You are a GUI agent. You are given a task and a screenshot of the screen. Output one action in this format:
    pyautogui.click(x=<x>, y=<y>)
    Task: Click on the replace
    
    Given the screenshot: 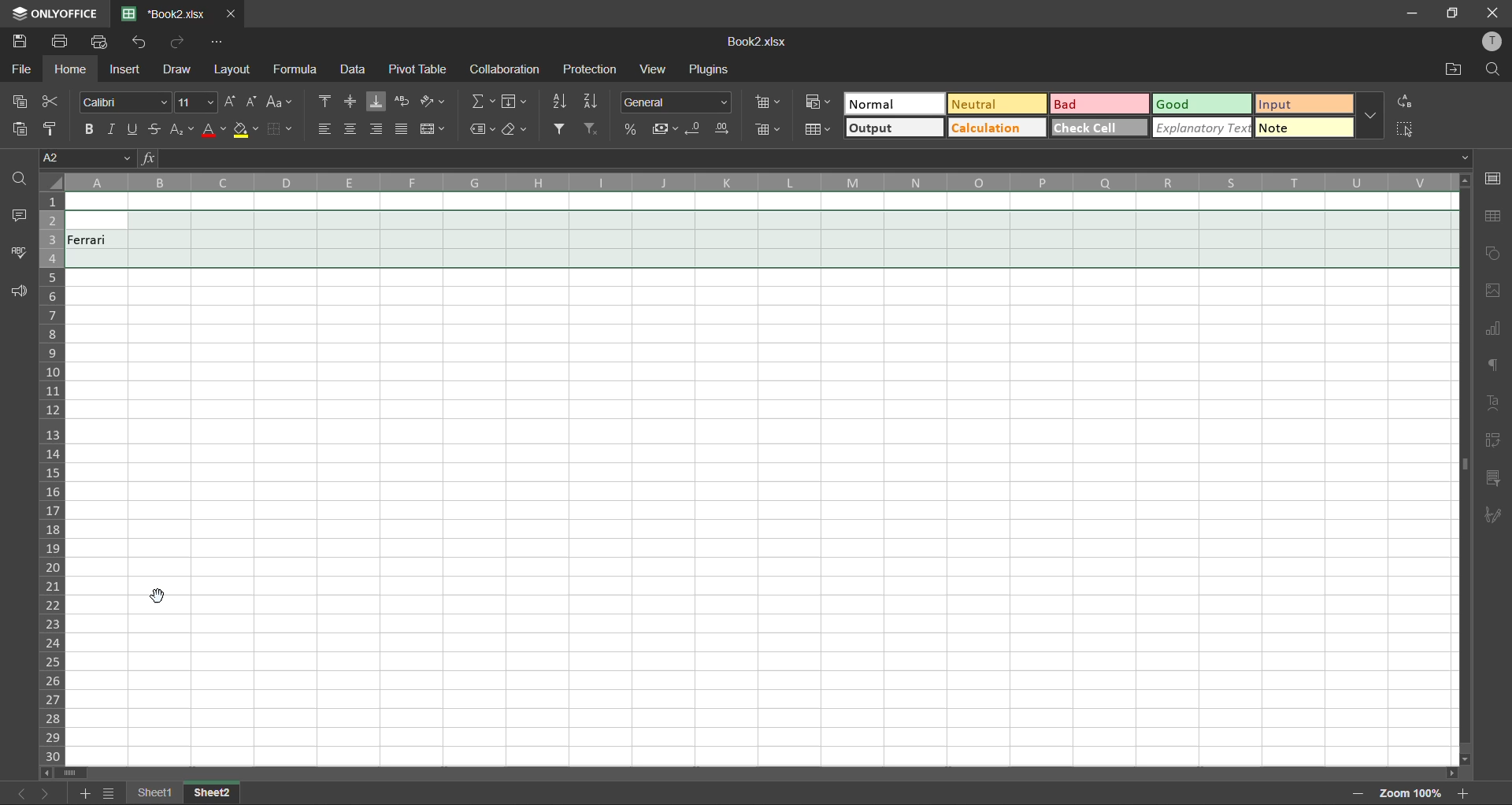 What is the action you would take?
    pyautogui.click(x=1403, y=102)
    